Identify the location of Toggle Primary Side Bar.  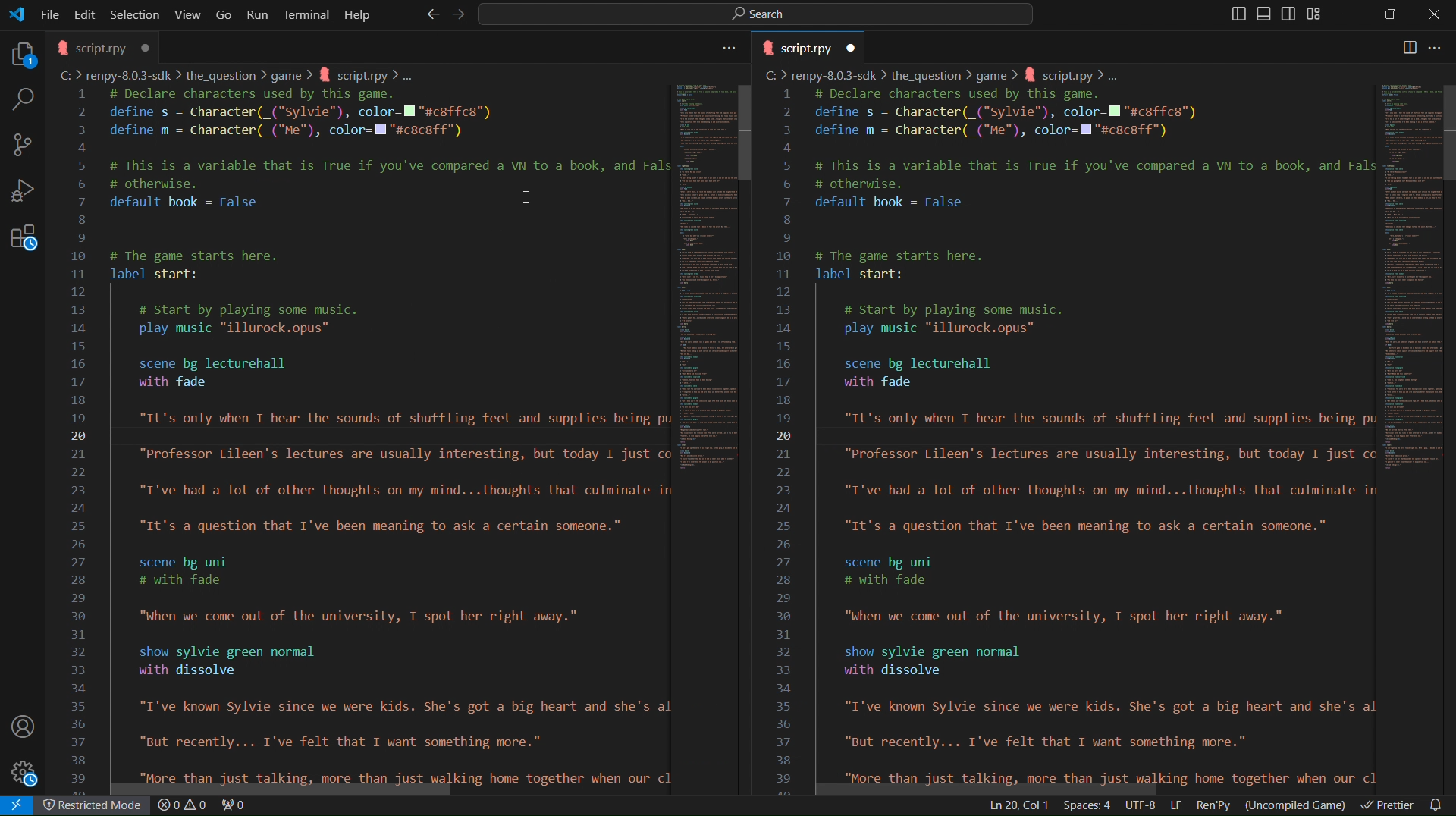
(1232, 14).